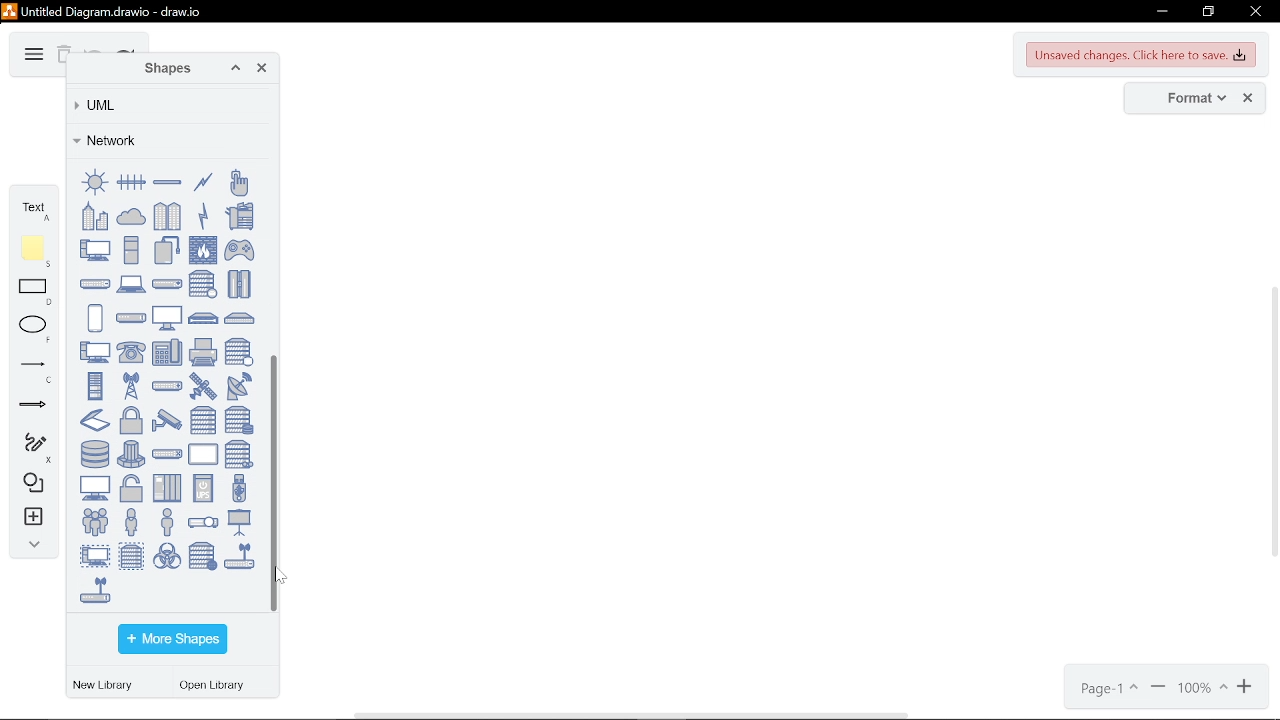 This screenshot has width=1280, height=720. I want to click on biometric reader, so click(238, 182).